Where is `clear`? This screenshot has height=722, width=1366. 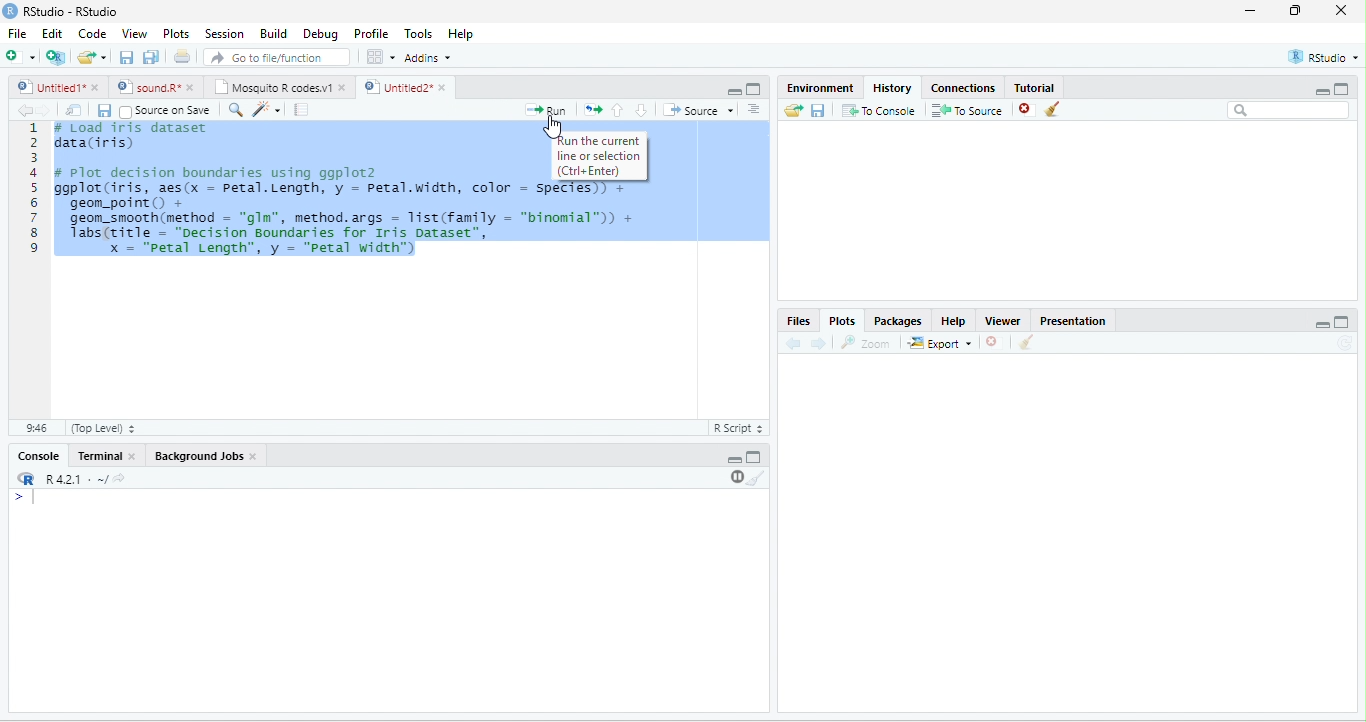
clear is located at coordinates (1052, 109).